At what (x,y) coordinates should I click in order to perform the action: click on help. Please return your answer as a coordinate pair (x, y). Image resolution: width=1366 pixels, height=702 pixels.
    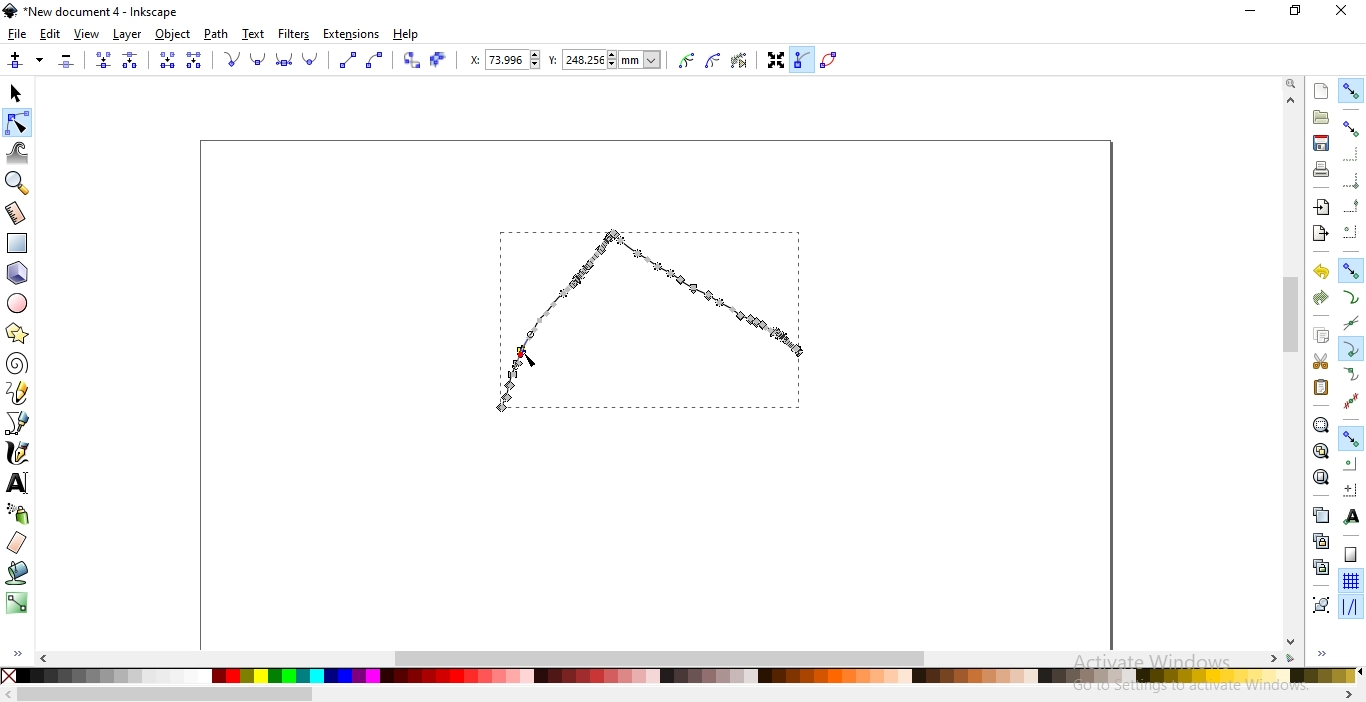
    Looking at the image, I should click on (406, 35).